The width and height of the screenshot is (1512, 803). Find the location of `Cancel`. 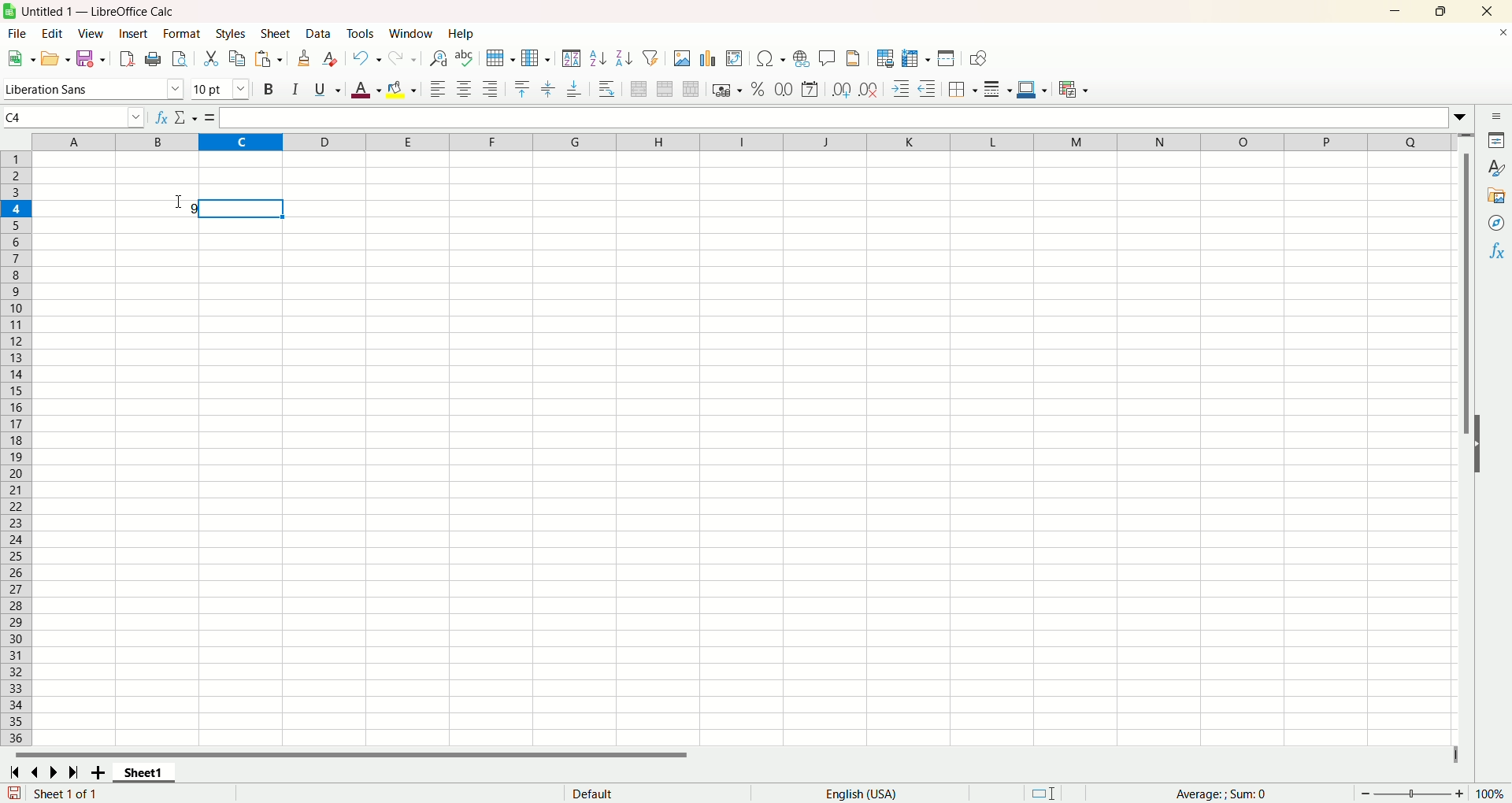

Cancel is located at coordinates (183, 117).